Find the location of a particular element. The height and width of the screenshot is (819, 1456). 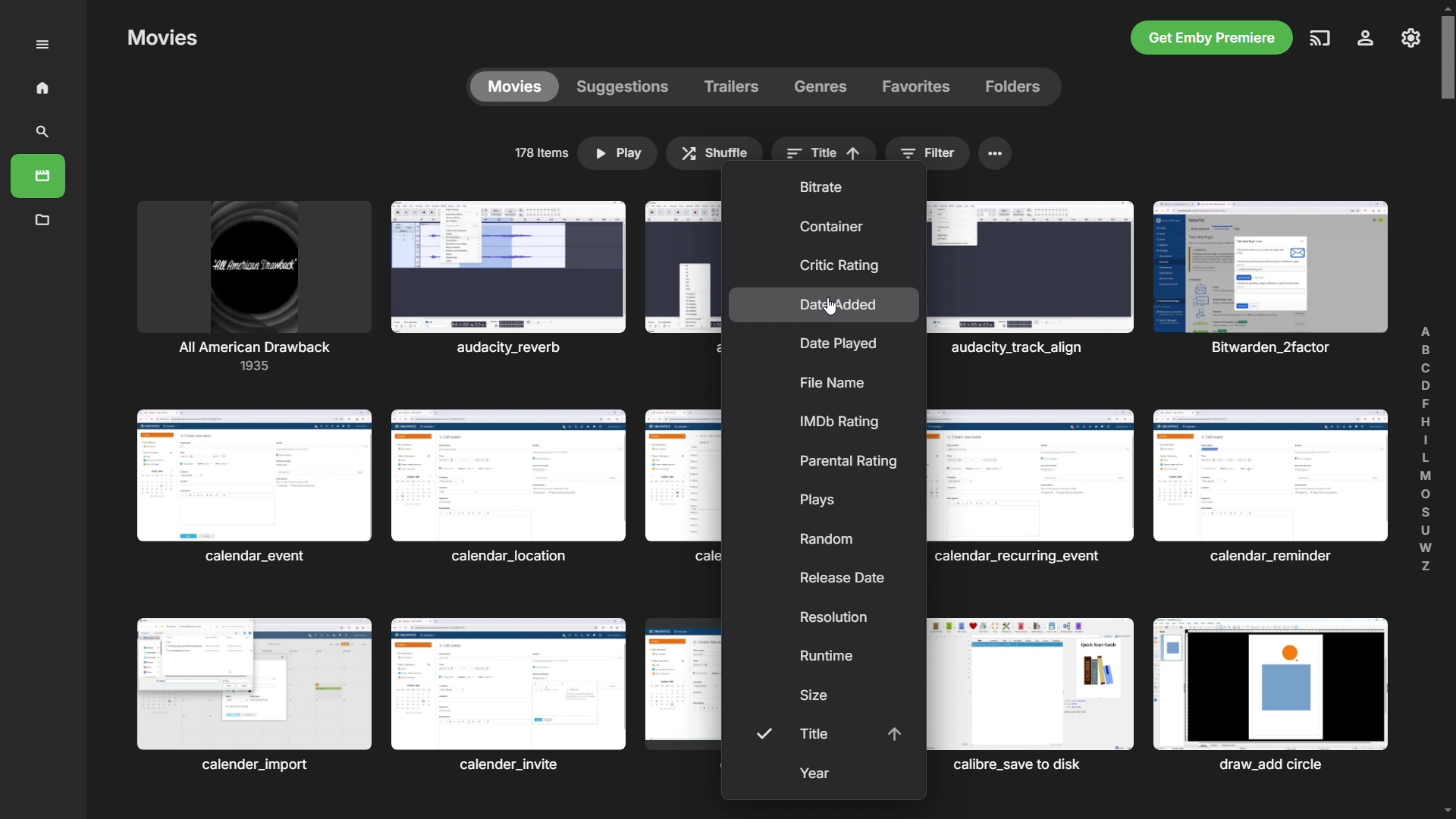

 is located at coordinates (511, 282).